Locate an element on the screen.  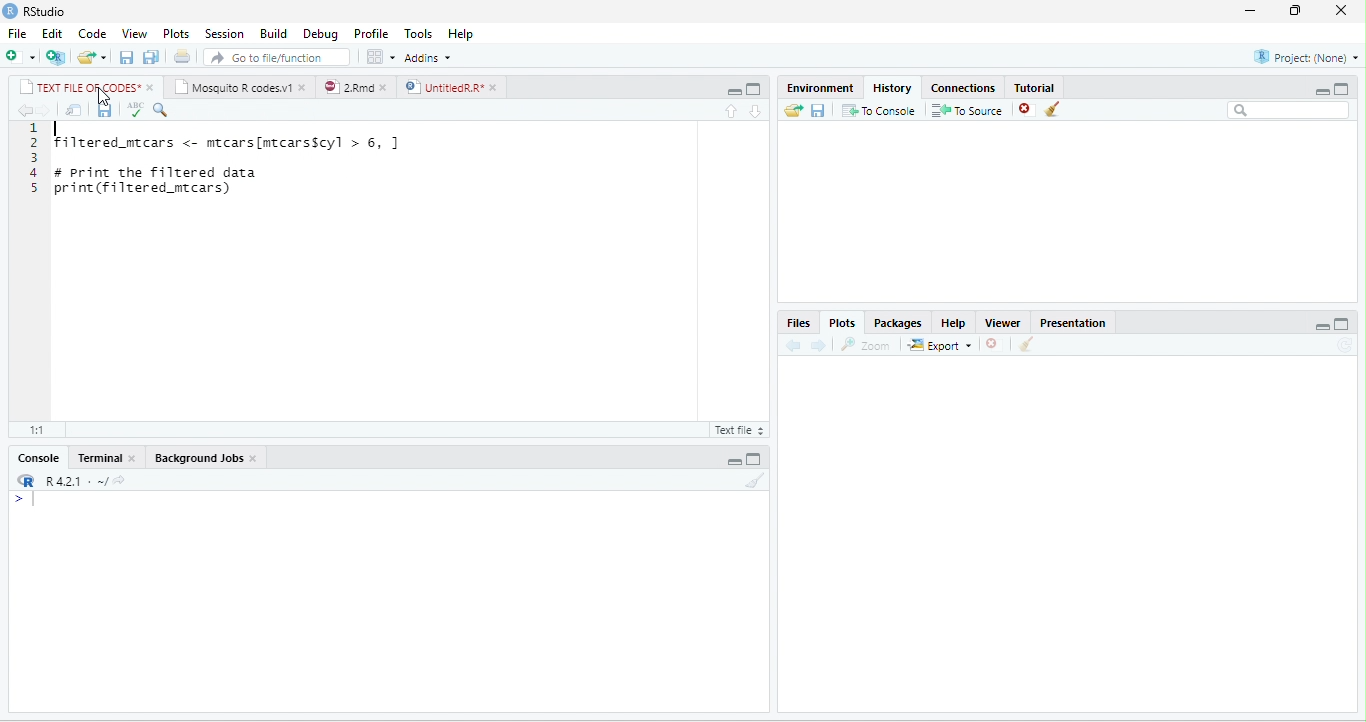
minimize is located at coordinates (734, 461).